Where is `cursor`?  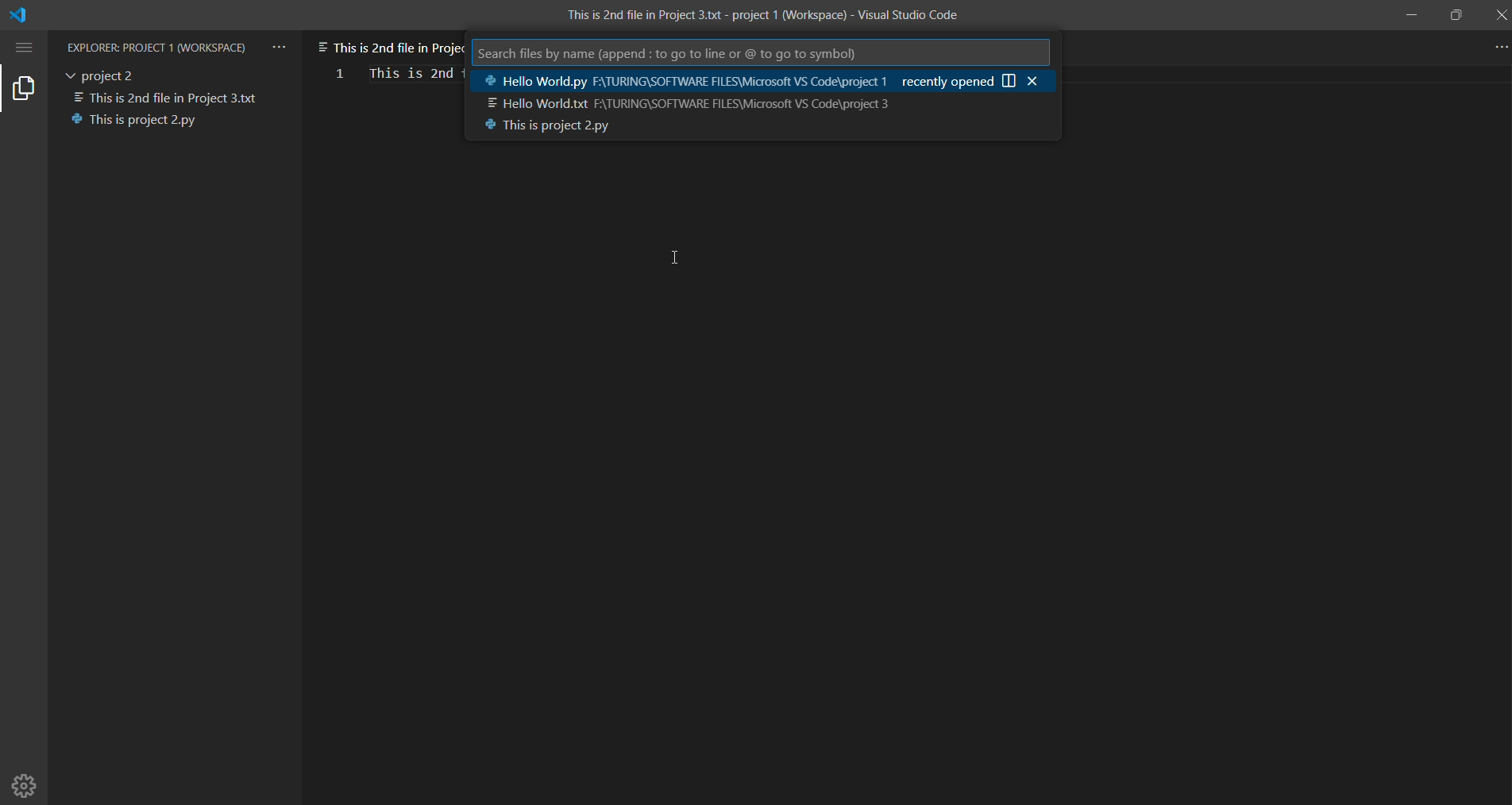 cursor is located at coordinates (676, 256).